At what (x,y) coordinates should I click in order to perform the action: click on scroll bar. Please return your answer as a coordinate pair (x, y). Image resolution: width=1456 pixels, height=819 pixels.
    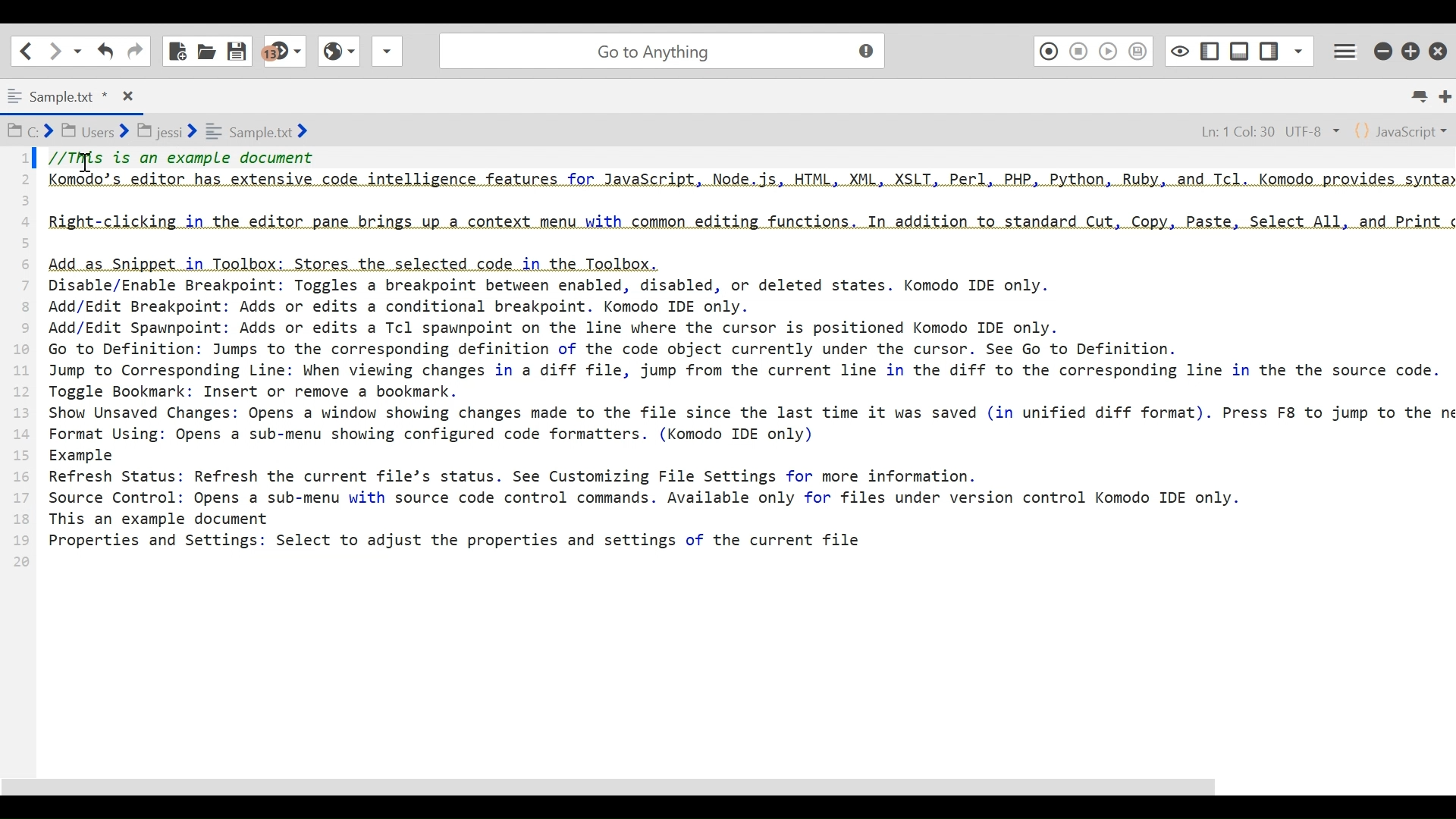
    Looking at the image, I should click on (639, 789).